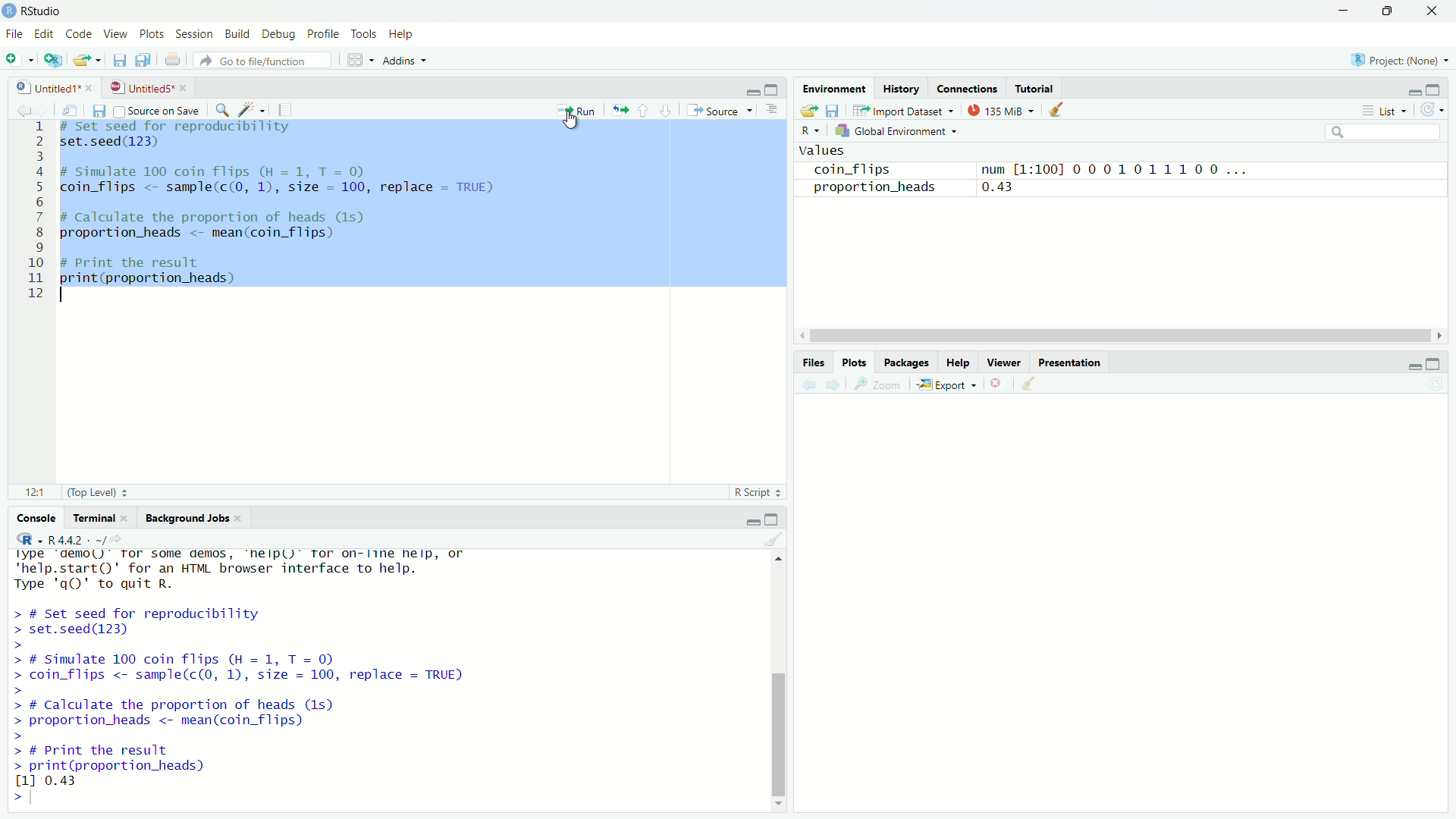 This screenshot has width=1456, height=819. I want to click on clear all plots, so click(1030, 385).